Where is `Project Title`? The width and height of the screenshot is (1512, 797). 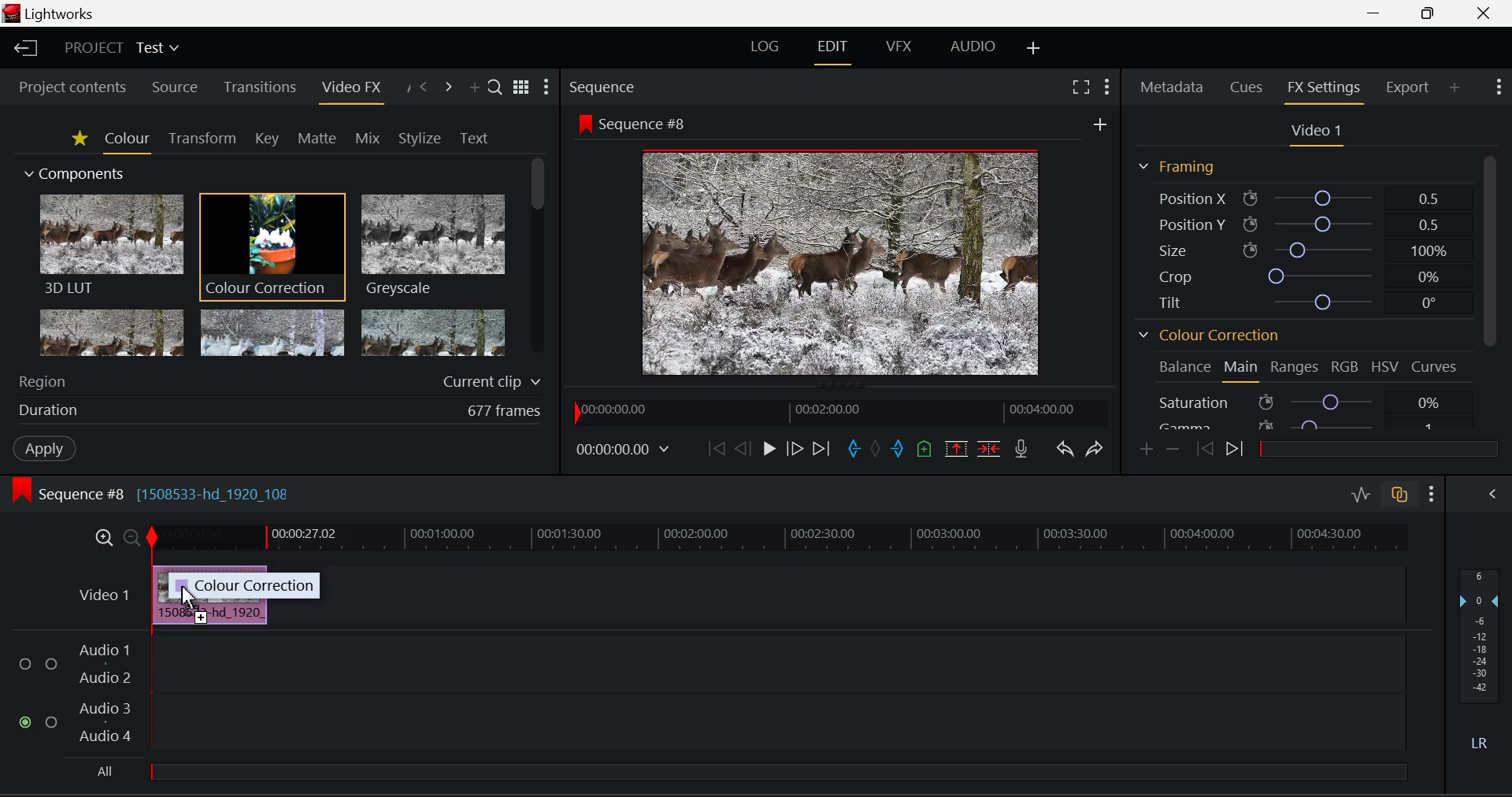
Project Title is located at coordinates (120, 48).